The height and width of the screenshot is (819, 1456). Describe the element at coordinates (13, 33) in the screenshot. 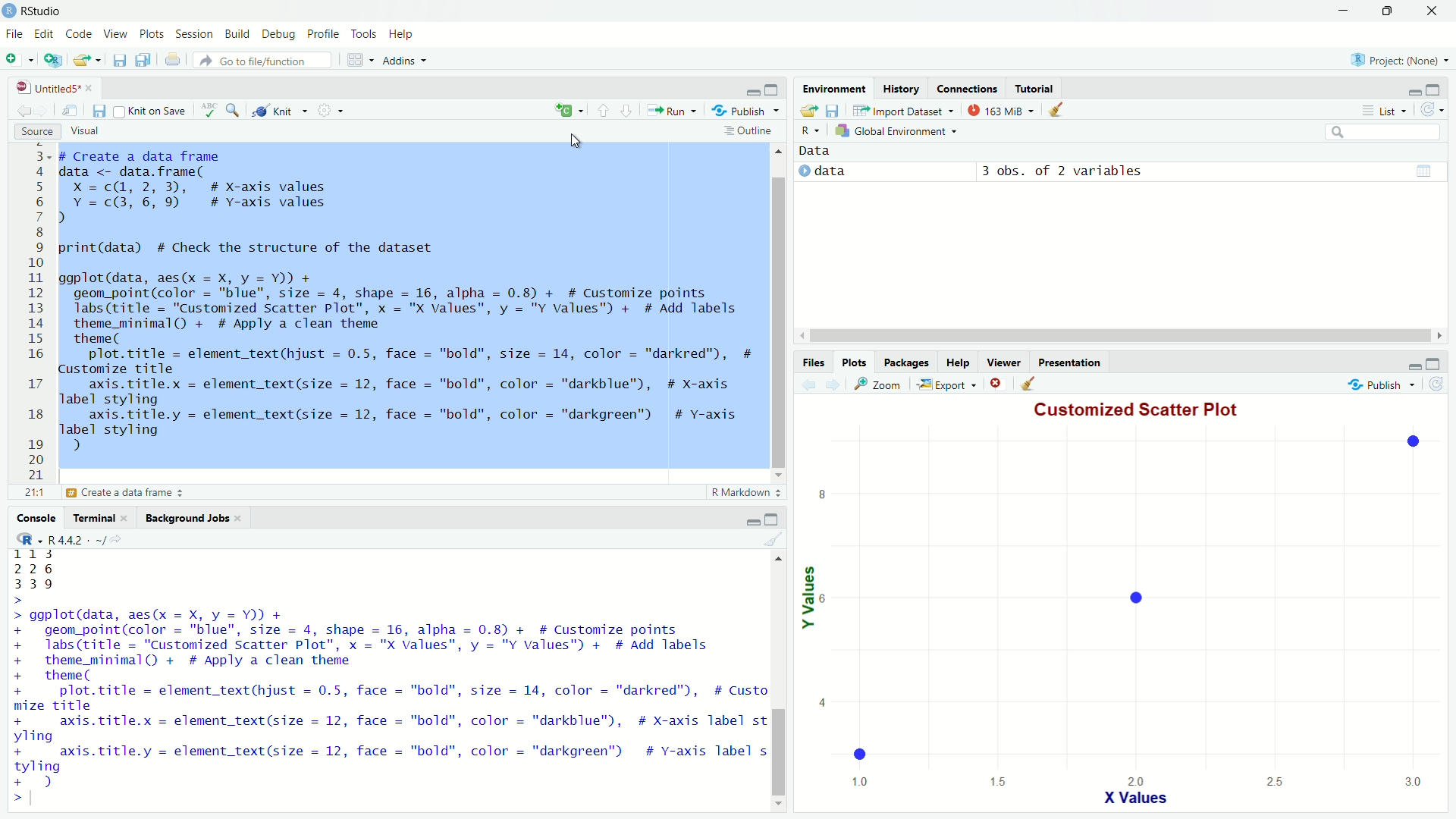

I see `File` at that location.